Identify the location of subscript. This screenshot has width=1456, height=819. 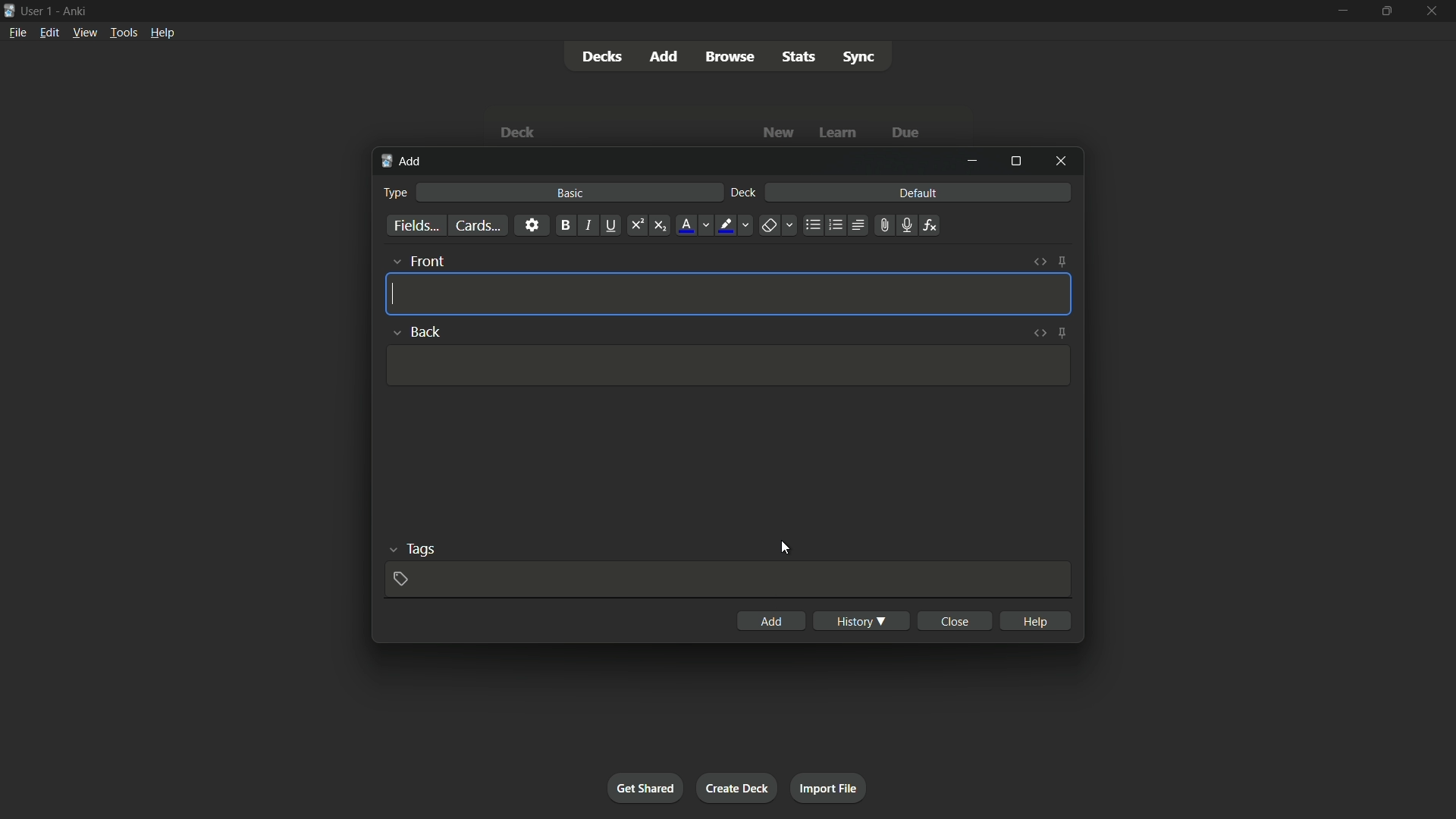
(660, 225).